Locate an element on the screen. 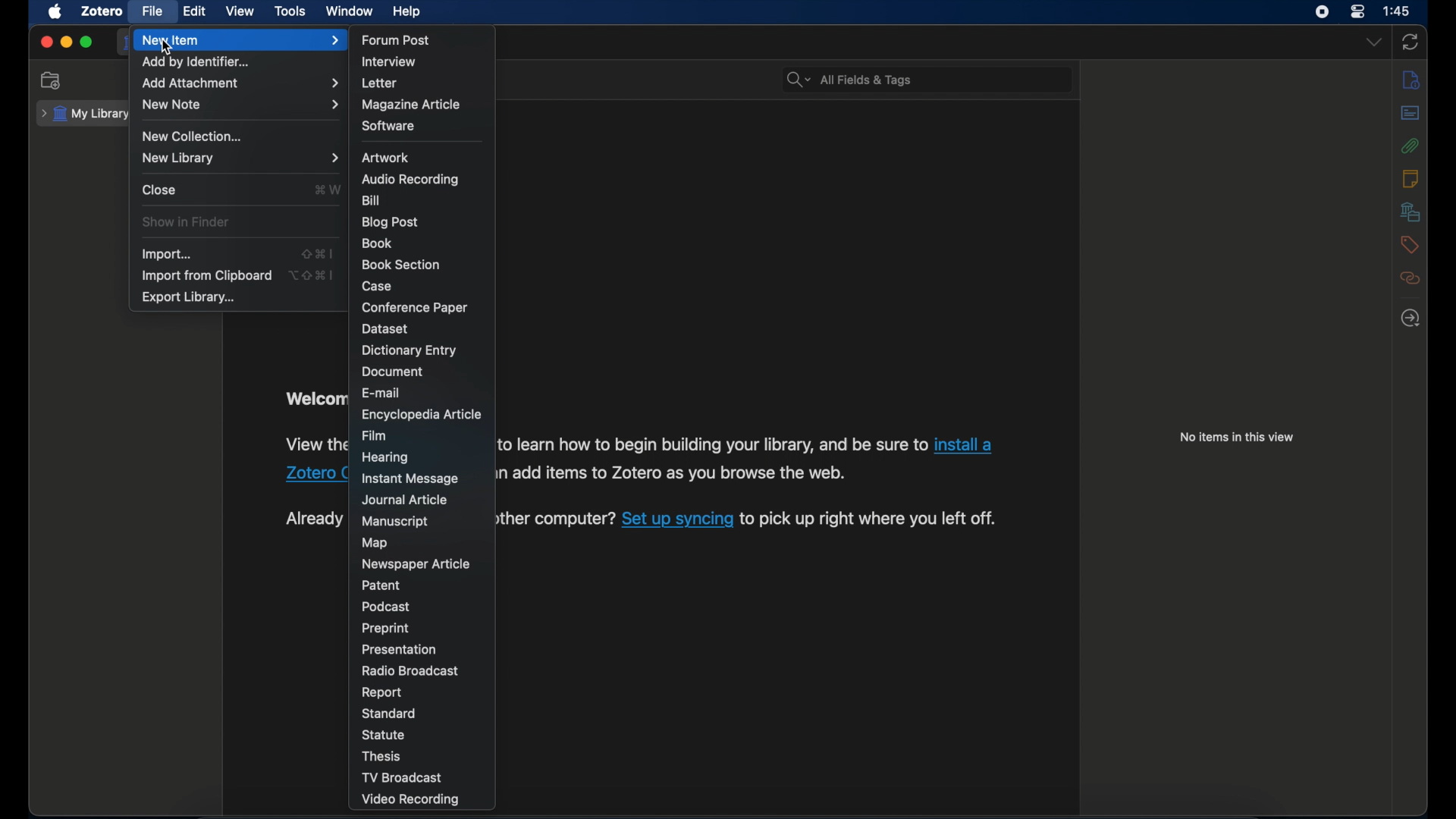 Image resolution: width=1456 pixels, height=819 pixels. map is located at coordinates (375, 543).